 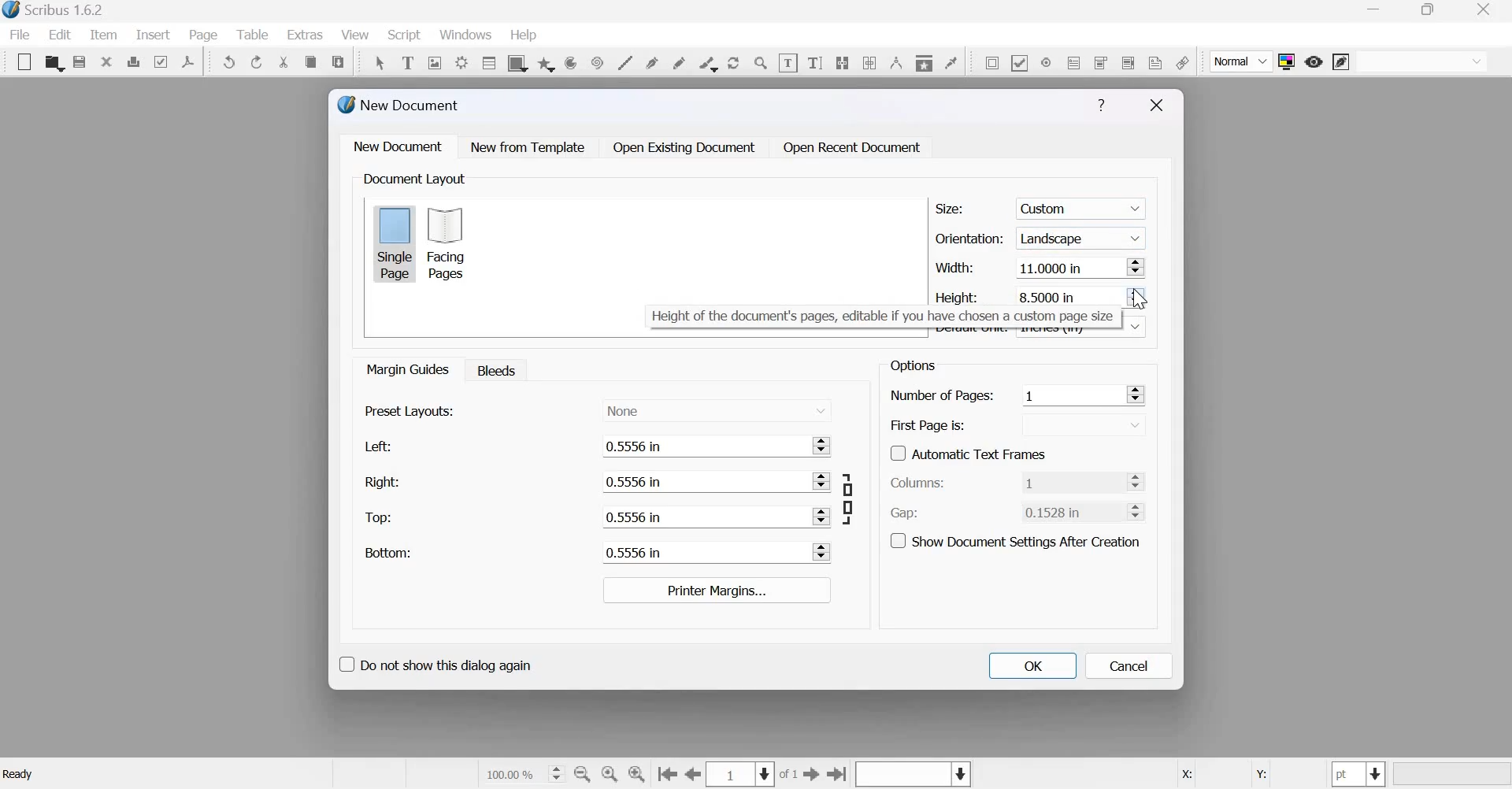 What do you see at coordinates (306, 35) in the screenshot?
I see `extras` at bounding box center [306, 35].